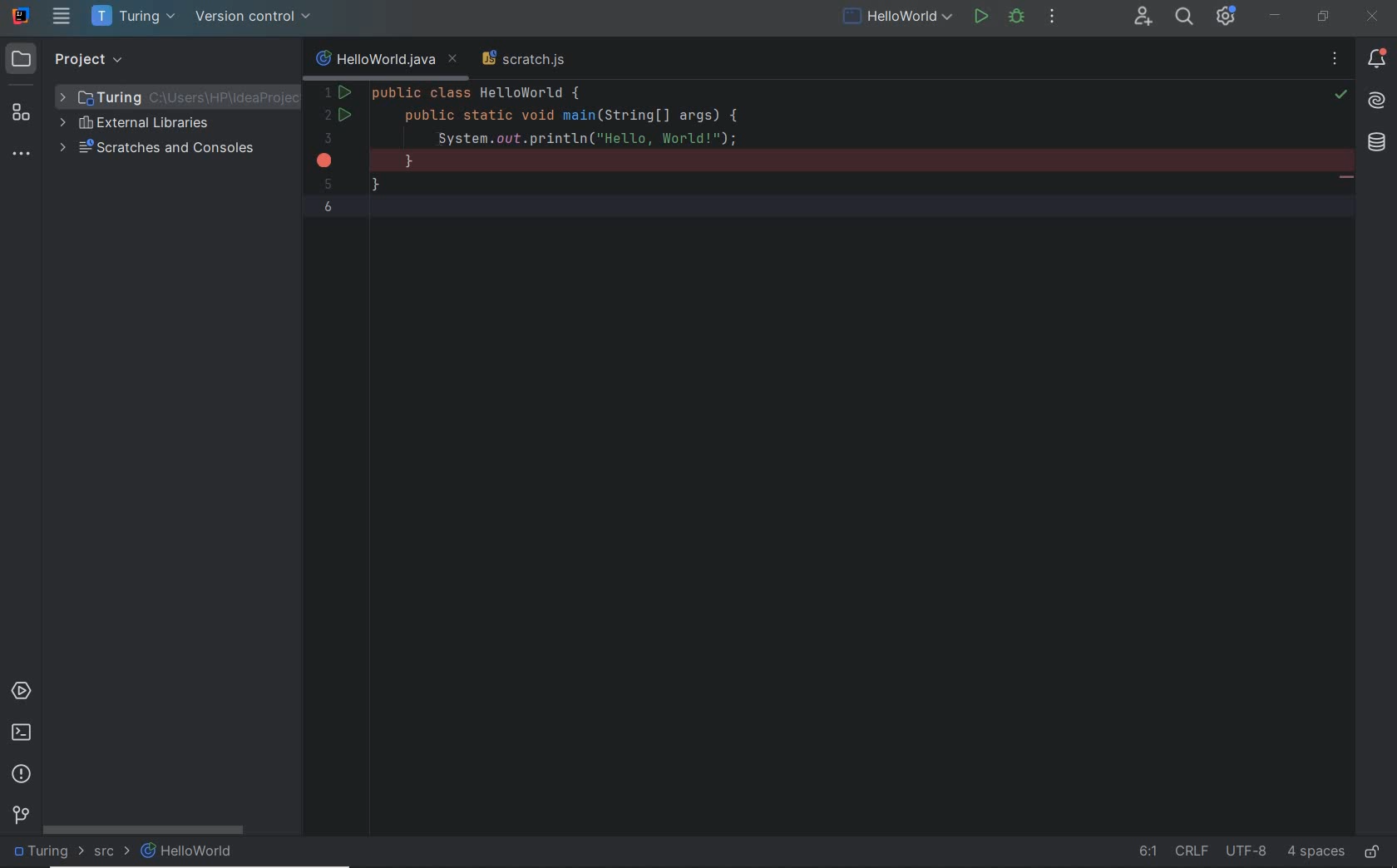 This screenshot has height=868, width=1397. What do you see at coordinates (153, 831) in the screenshot?
I see `scrollbar` at bounding box center [153, 831].